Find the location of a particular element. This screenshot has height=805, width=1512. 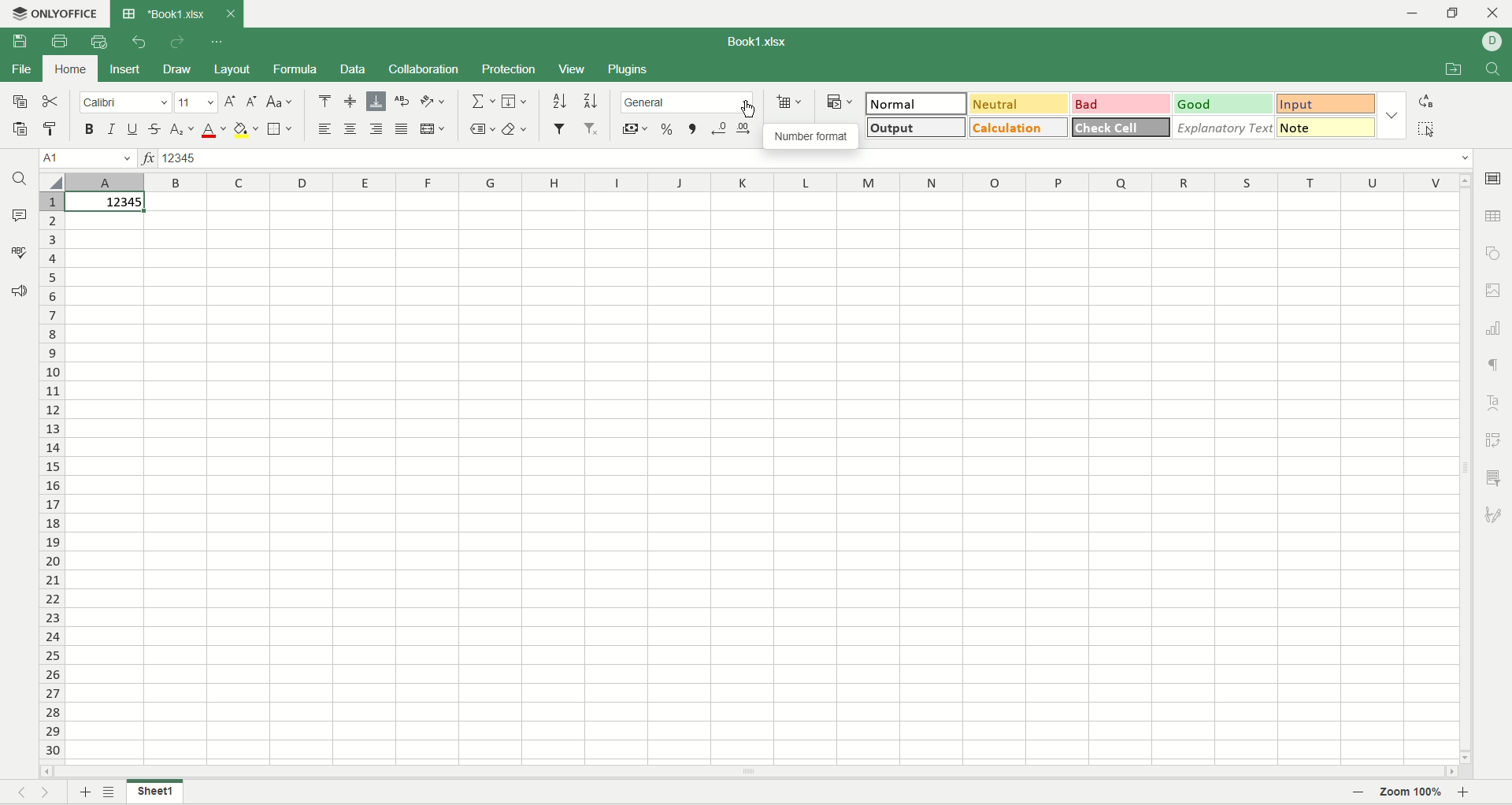

align below is located at coordinates (376, 102).